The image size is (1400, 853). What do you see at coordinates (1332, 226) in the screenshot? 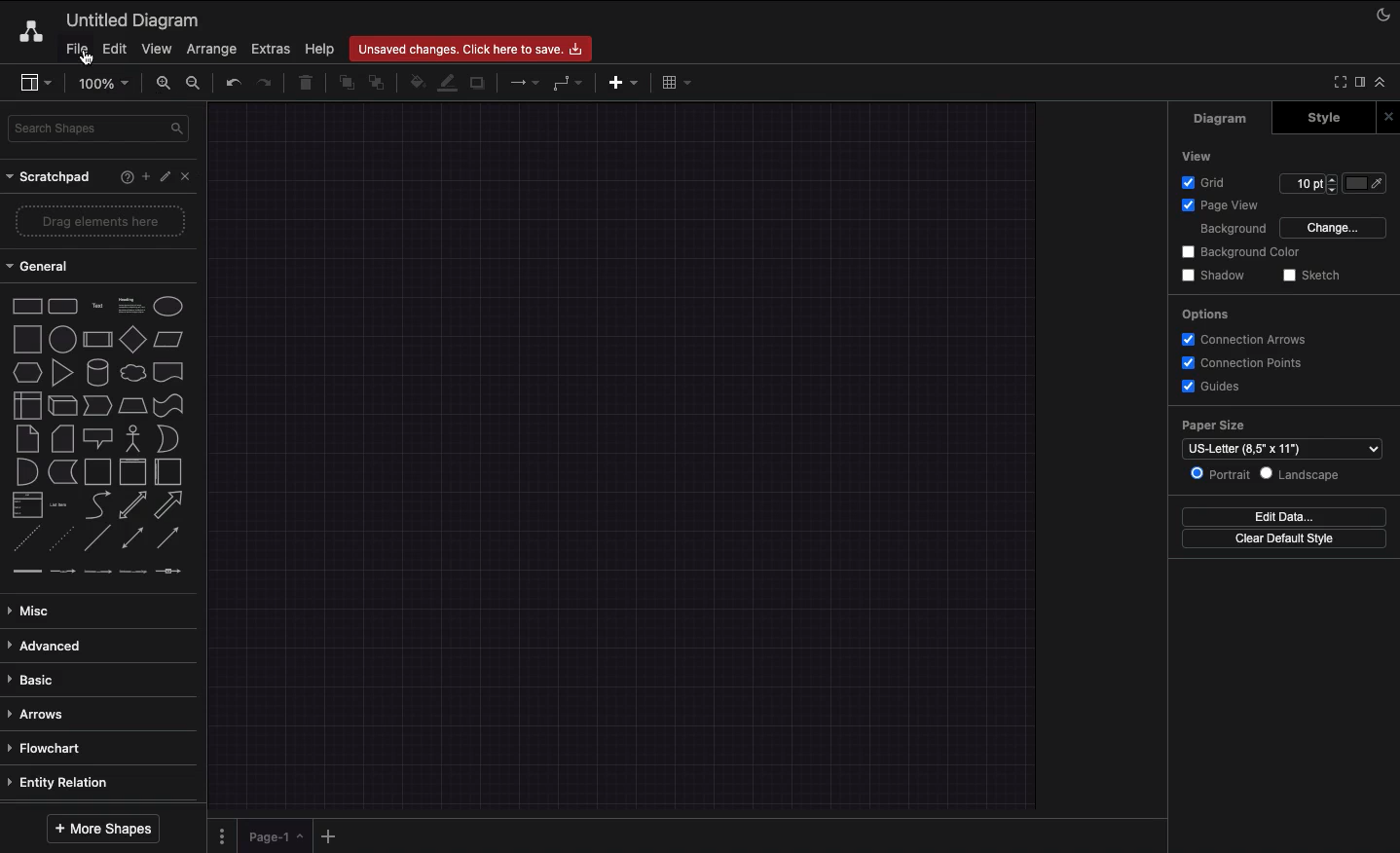
I see `Change` at bounding box center [1332, 226].